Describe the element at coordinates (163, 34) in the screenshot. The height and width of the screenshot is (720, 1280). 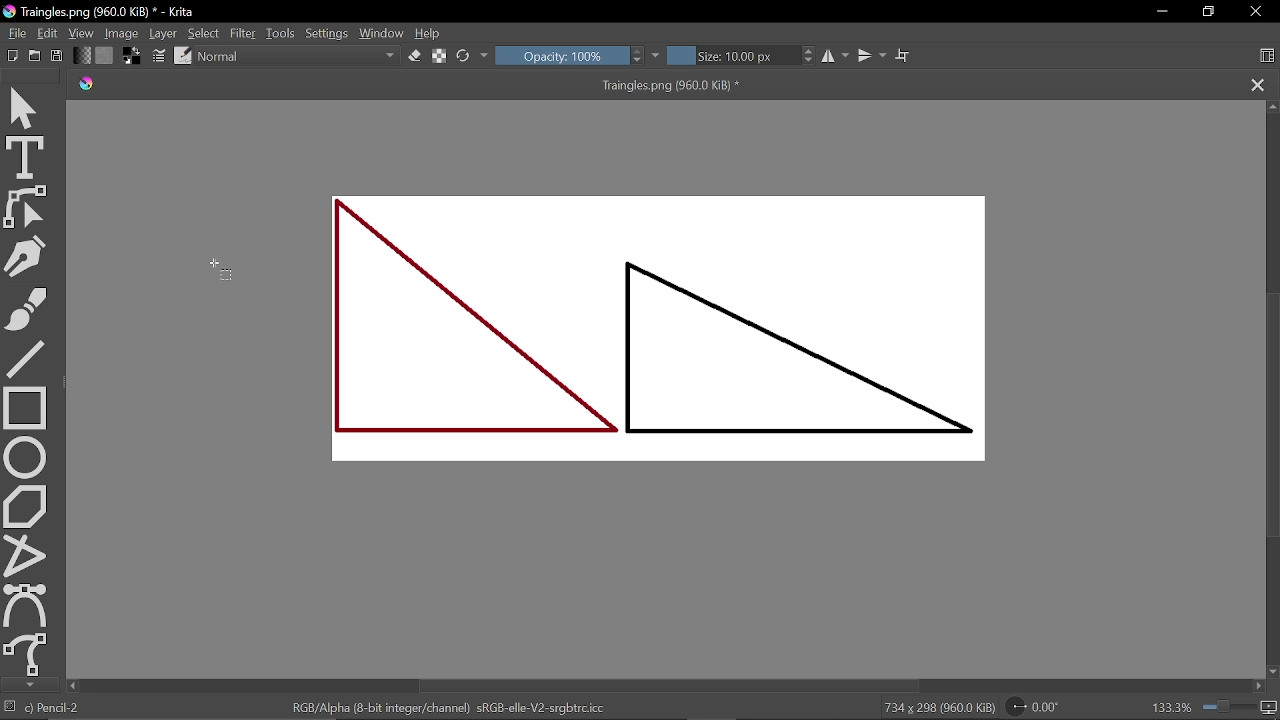
I see `Layer` at that location.